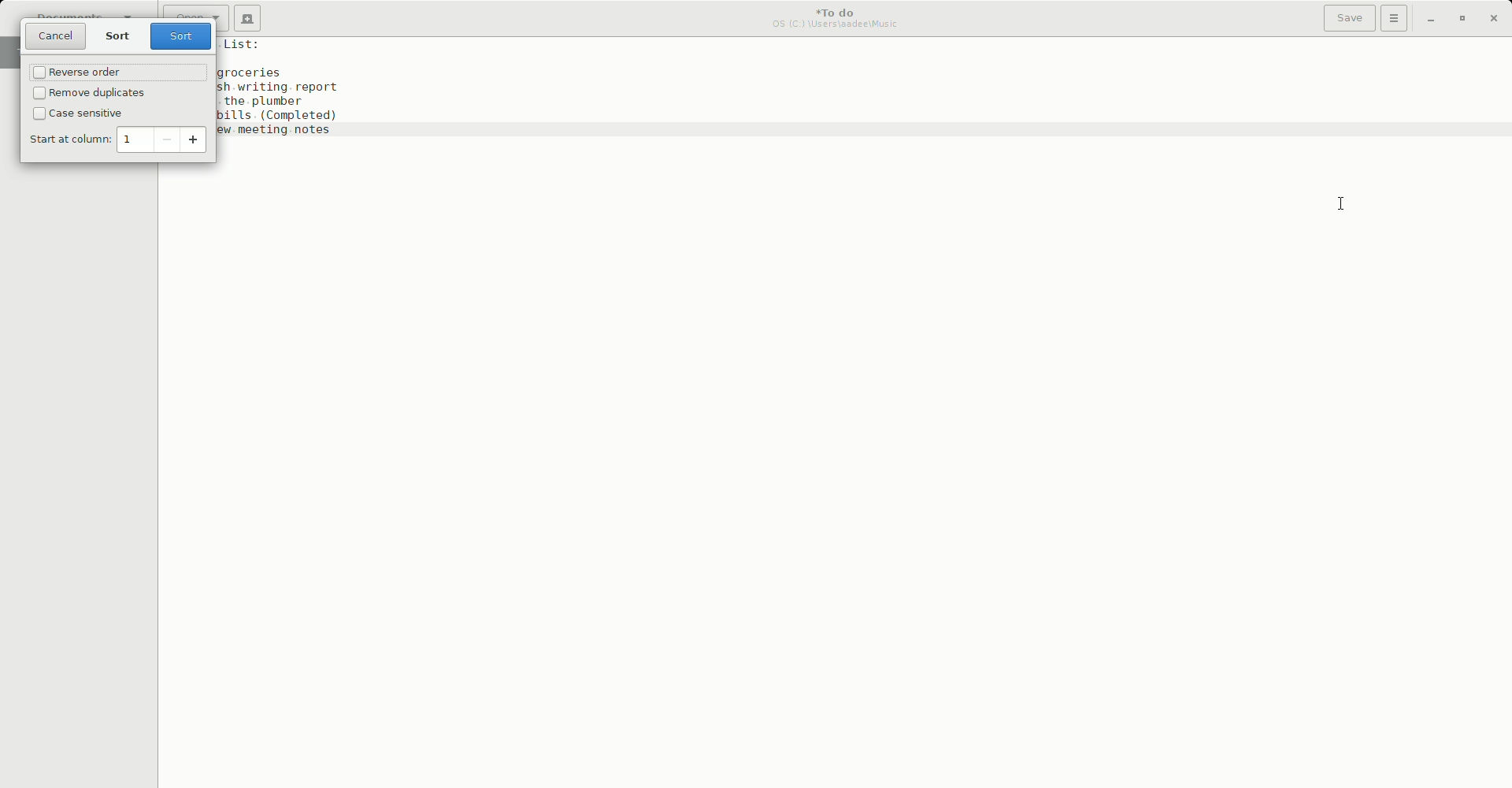  I want to click on Sort, so click(181, 37).